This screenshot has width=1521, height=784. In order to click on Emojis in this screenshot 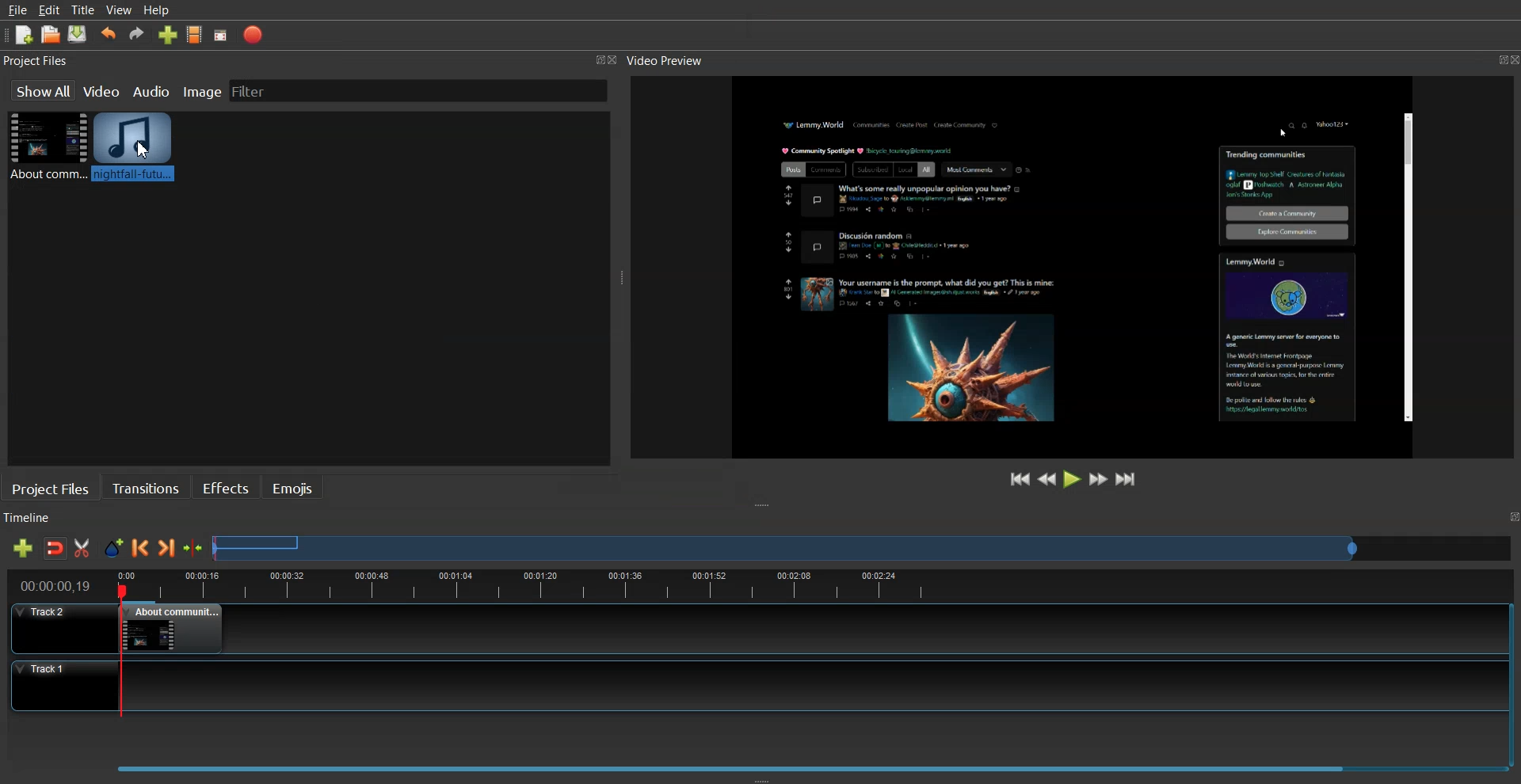, I will do `click(294, 487)`.